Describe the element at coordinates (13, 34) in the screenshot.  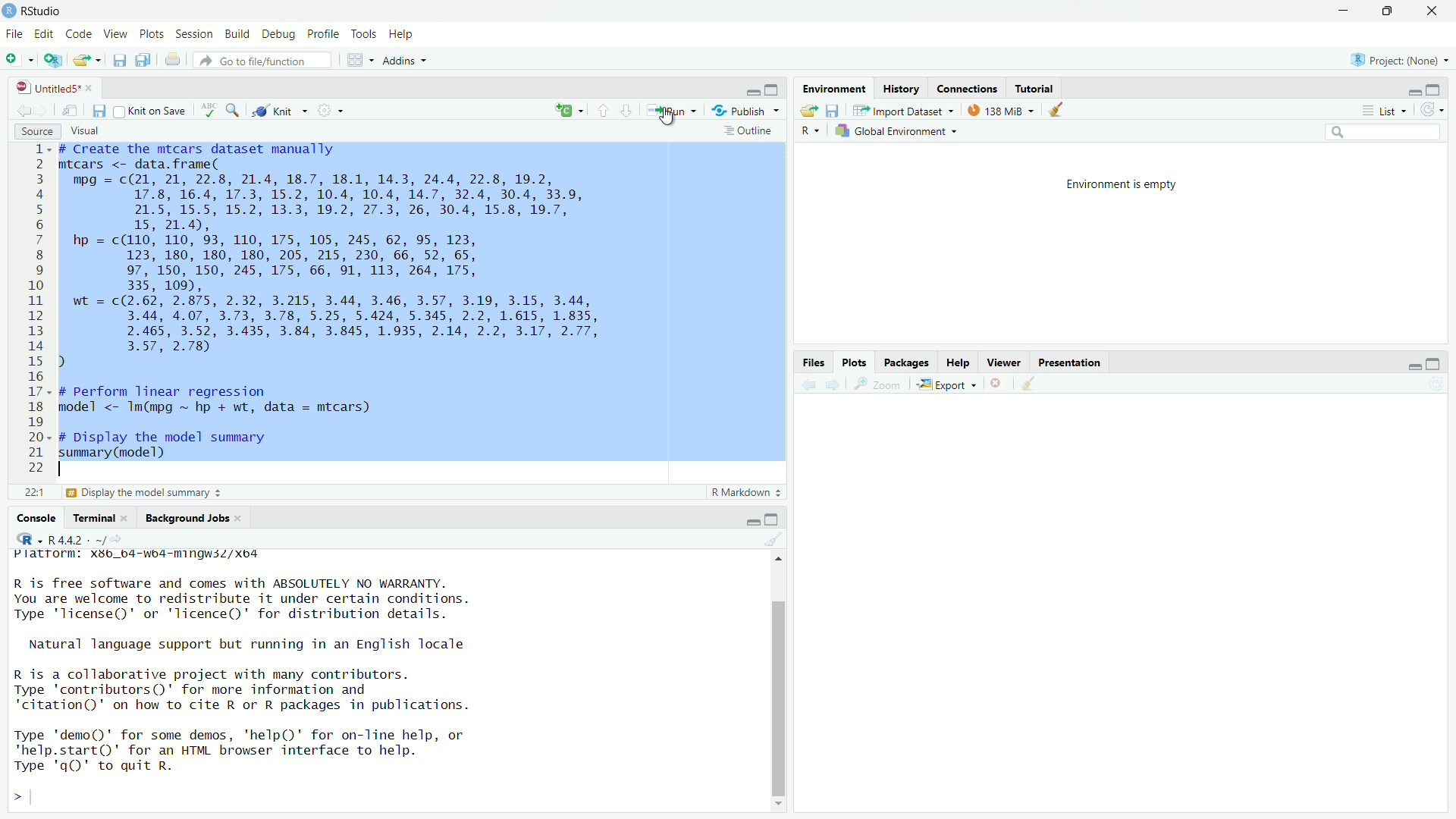
I see `file` at that location.